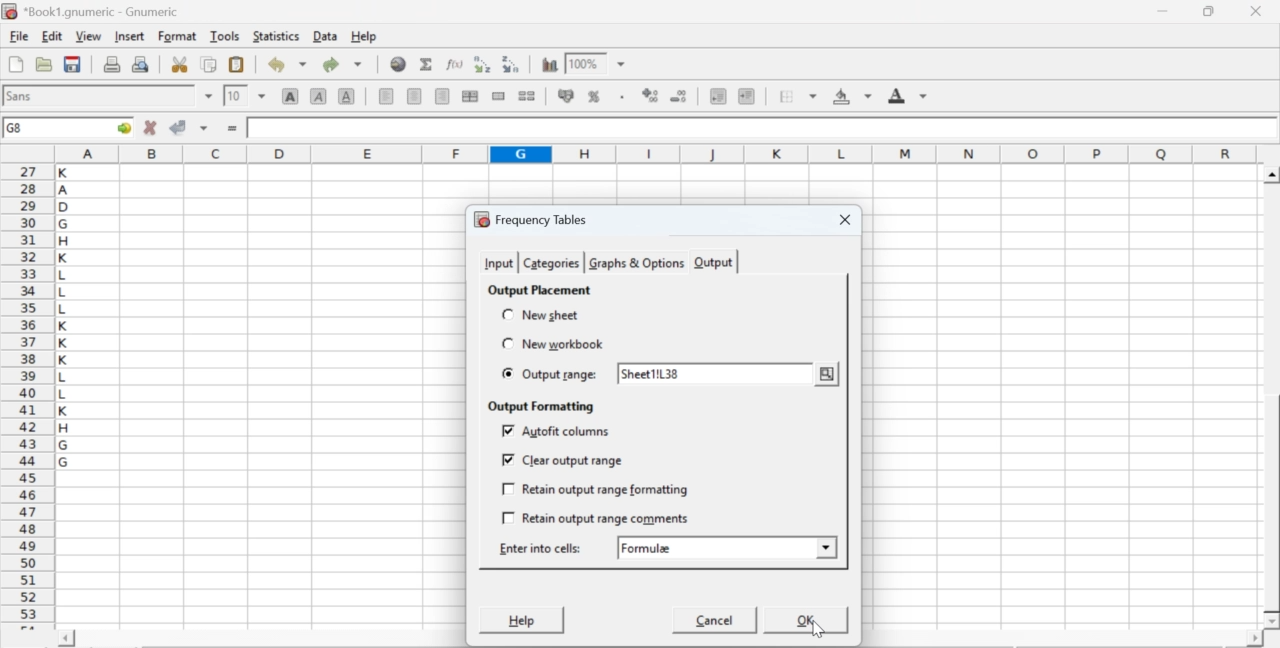 The image size is (1280, 648). I want to click on file, so click(18, 37).